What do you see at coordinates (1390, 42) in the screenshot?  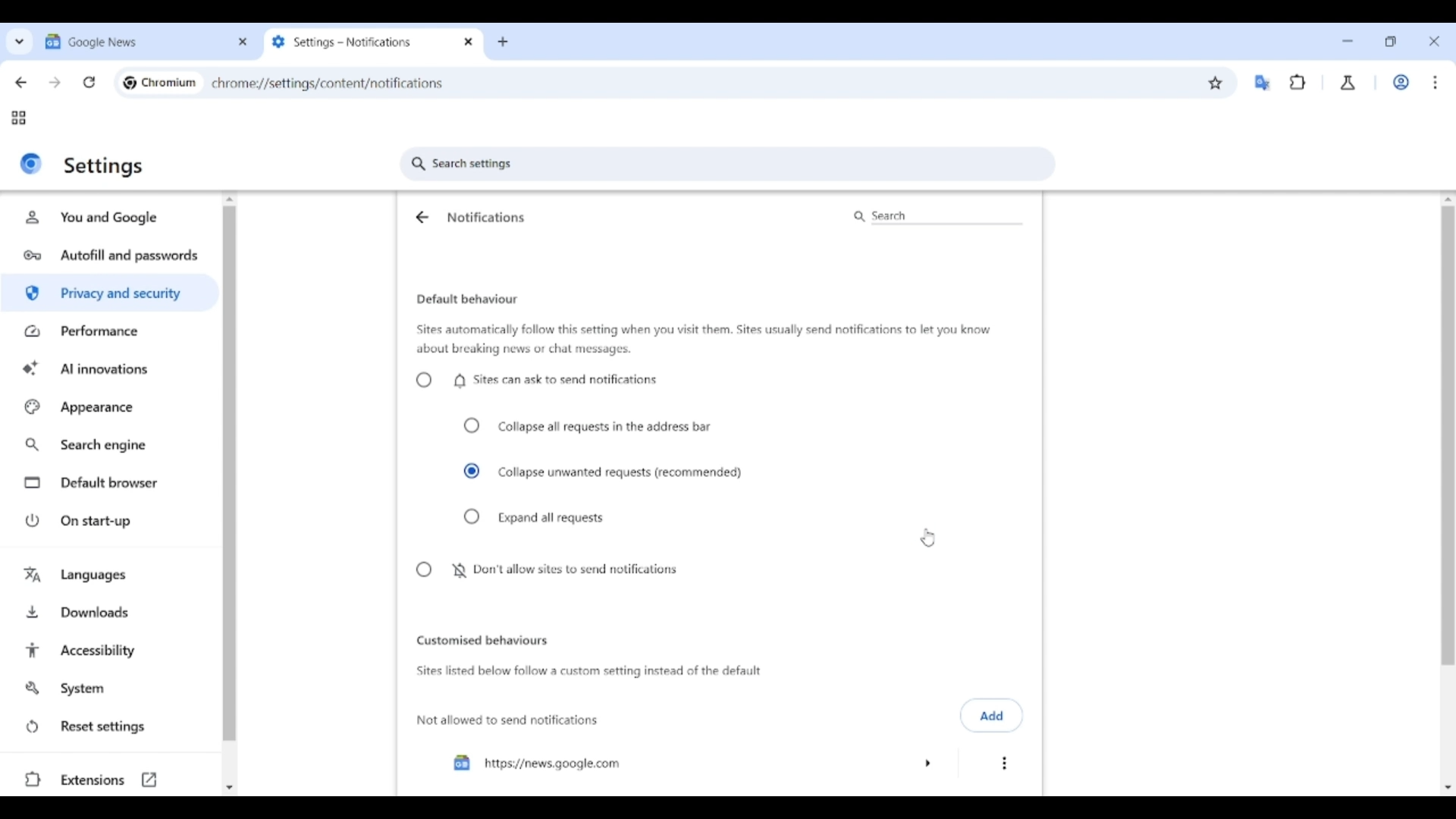 I see `Show interface in a smaller tab` at bounding box center [1390, 42].